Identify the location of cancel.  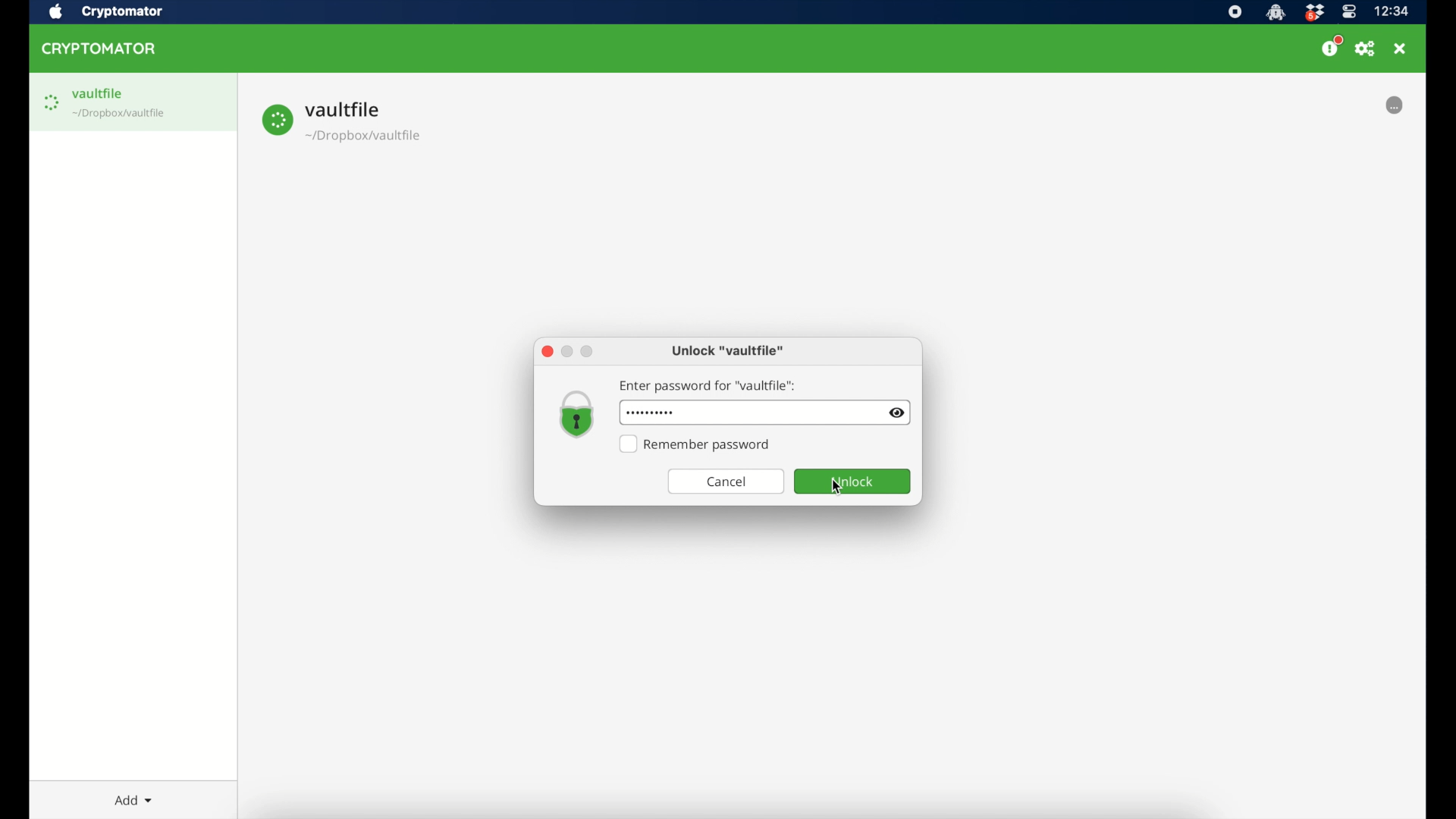
(727, 481).